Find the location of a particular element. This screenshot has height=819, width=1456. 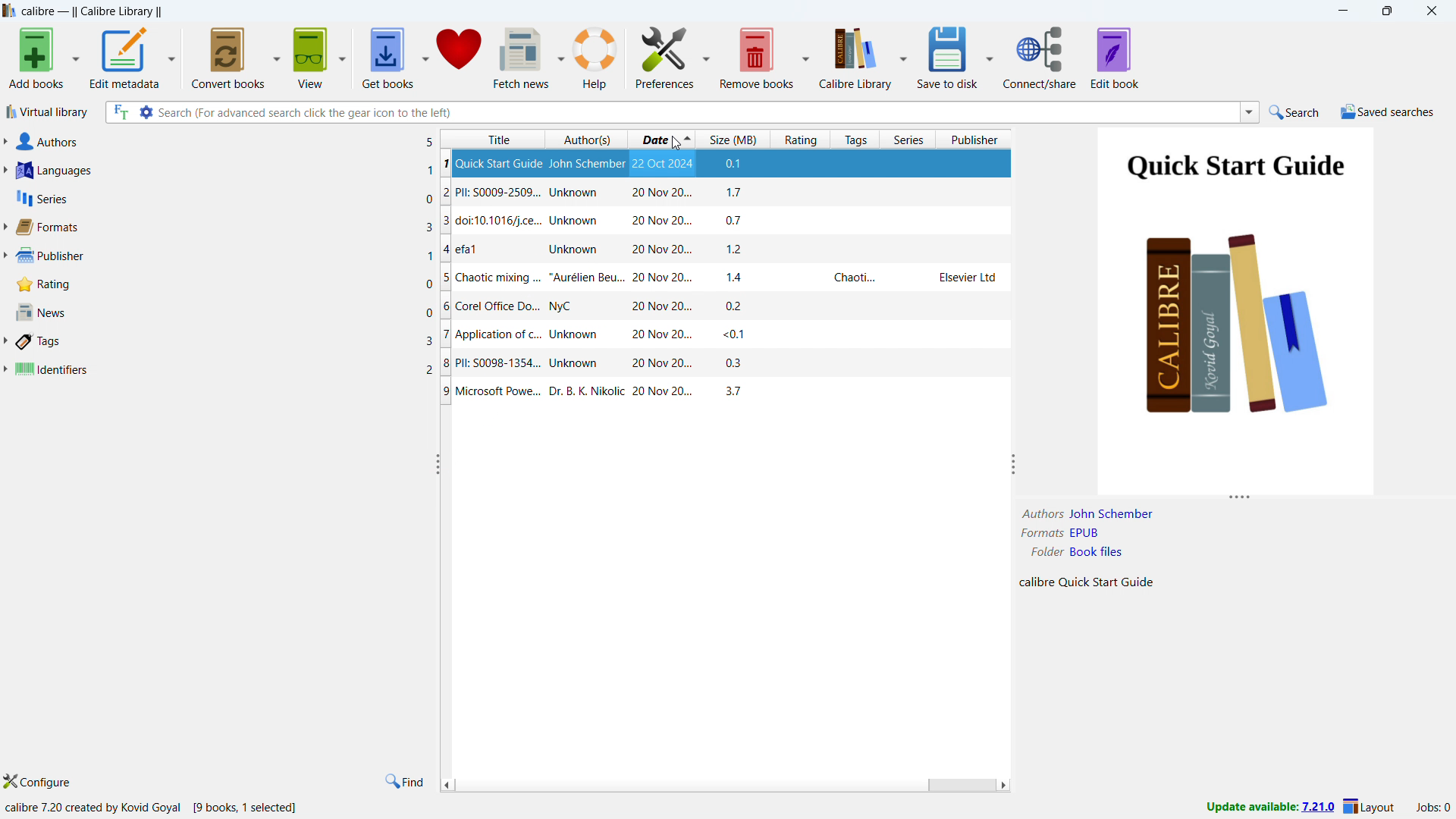

3.7 is located at coordinates (727, 391).